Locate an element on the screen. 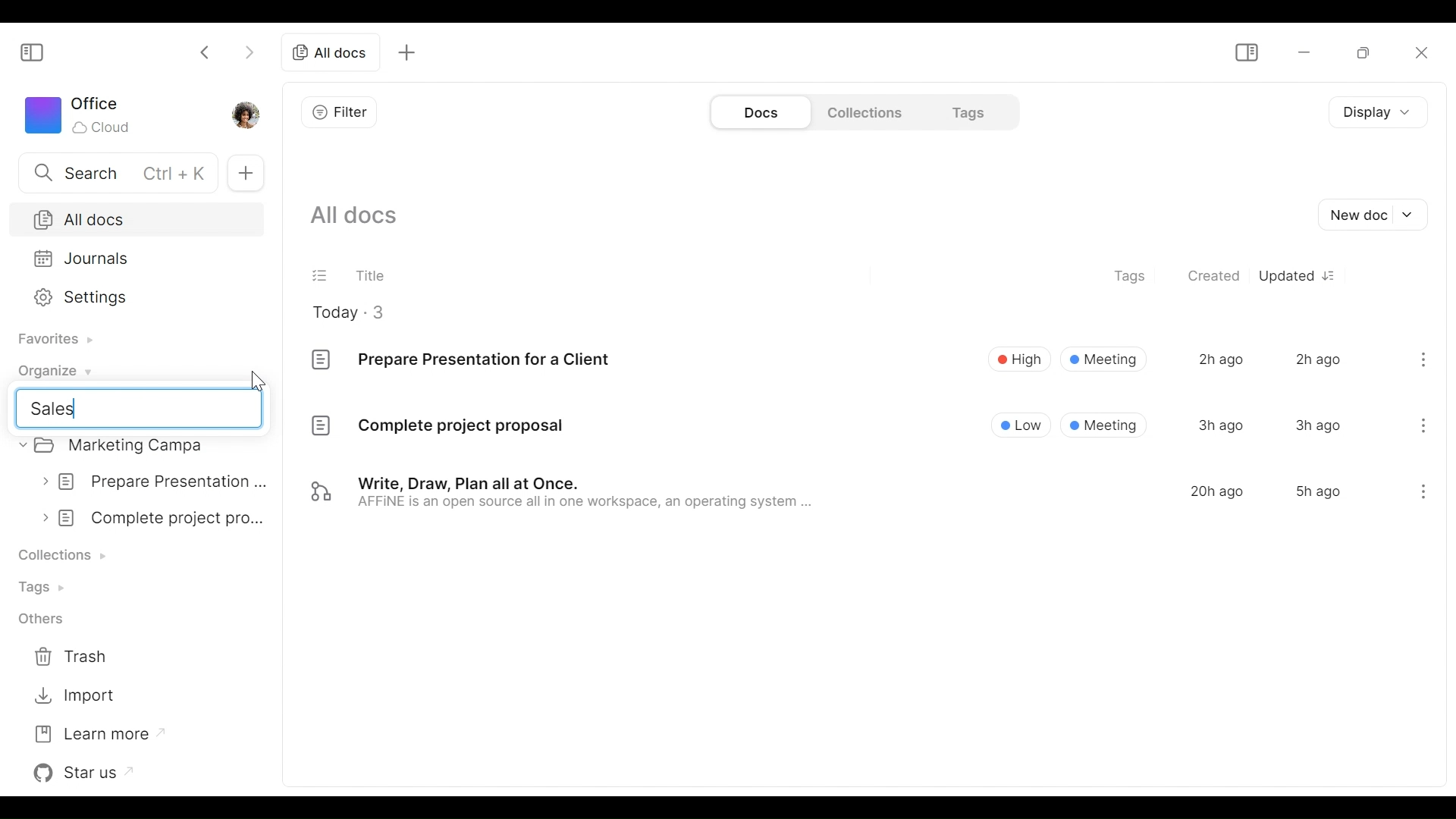 Image resolution: width=1456 pixels, height=819 pixels. Restore is located at coordinates (1357, 52).